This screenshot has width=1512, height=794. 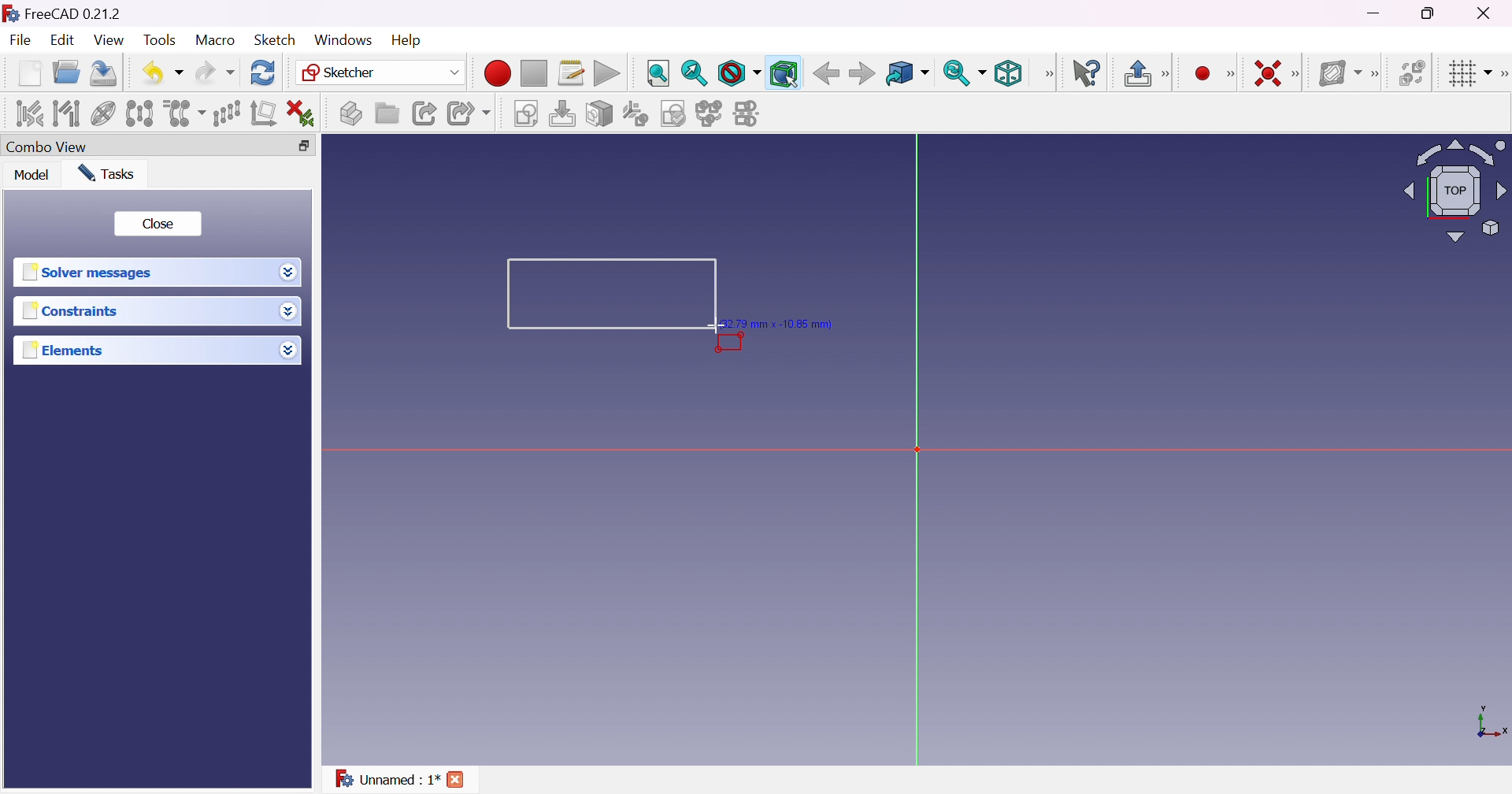 What do you see at coordinates (265, 72) in the screenshot?
I see `Refresh` at bounding box center [265, 72].